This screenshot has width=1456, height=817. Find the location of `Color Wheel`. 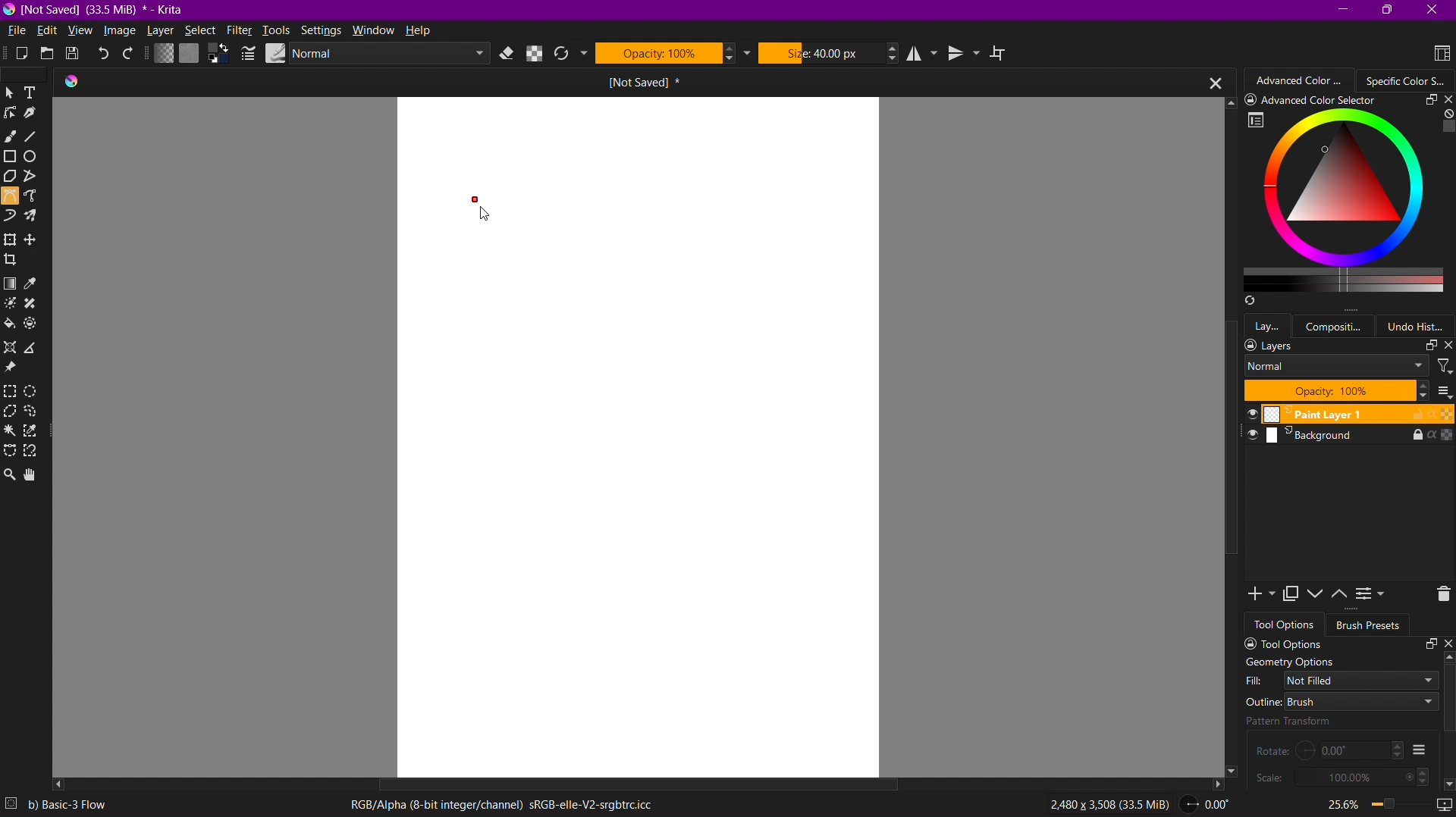

Color Wheel is located at coordinates (1407, 80).